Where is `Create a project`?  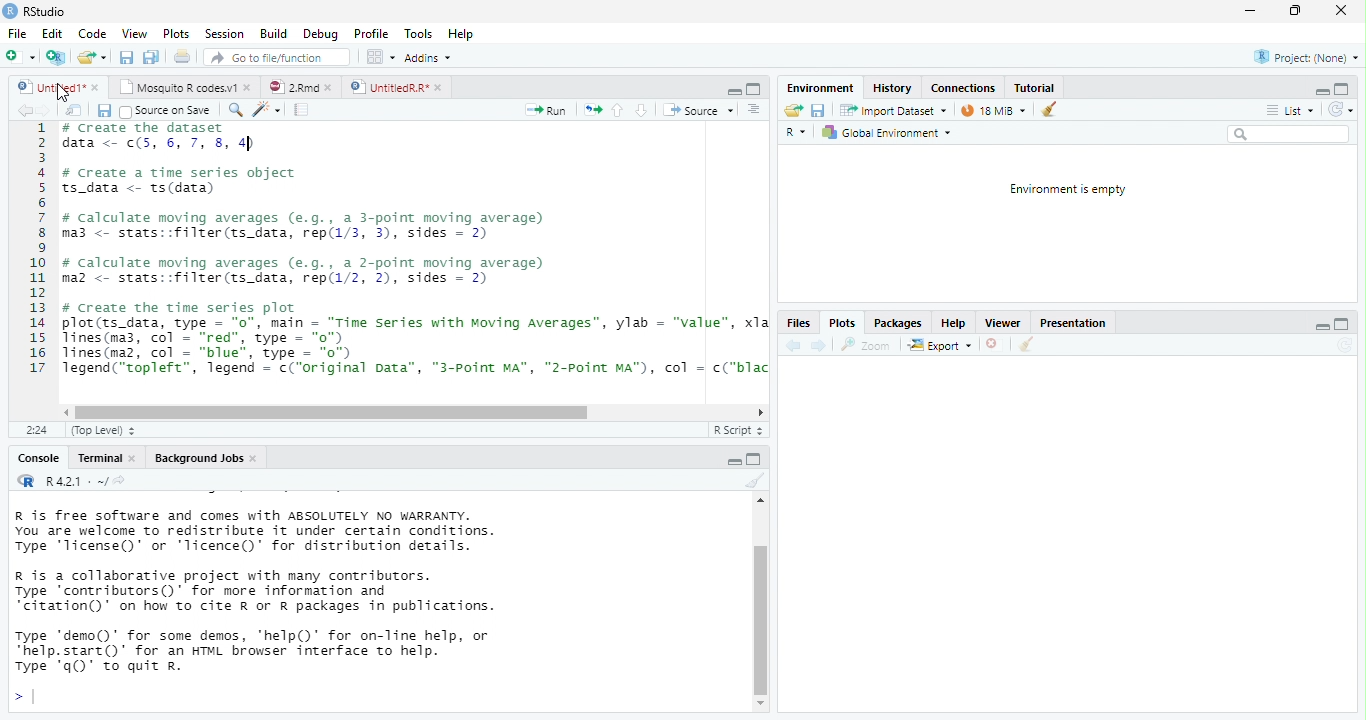
Create a project is located at coordinates (55, 57).